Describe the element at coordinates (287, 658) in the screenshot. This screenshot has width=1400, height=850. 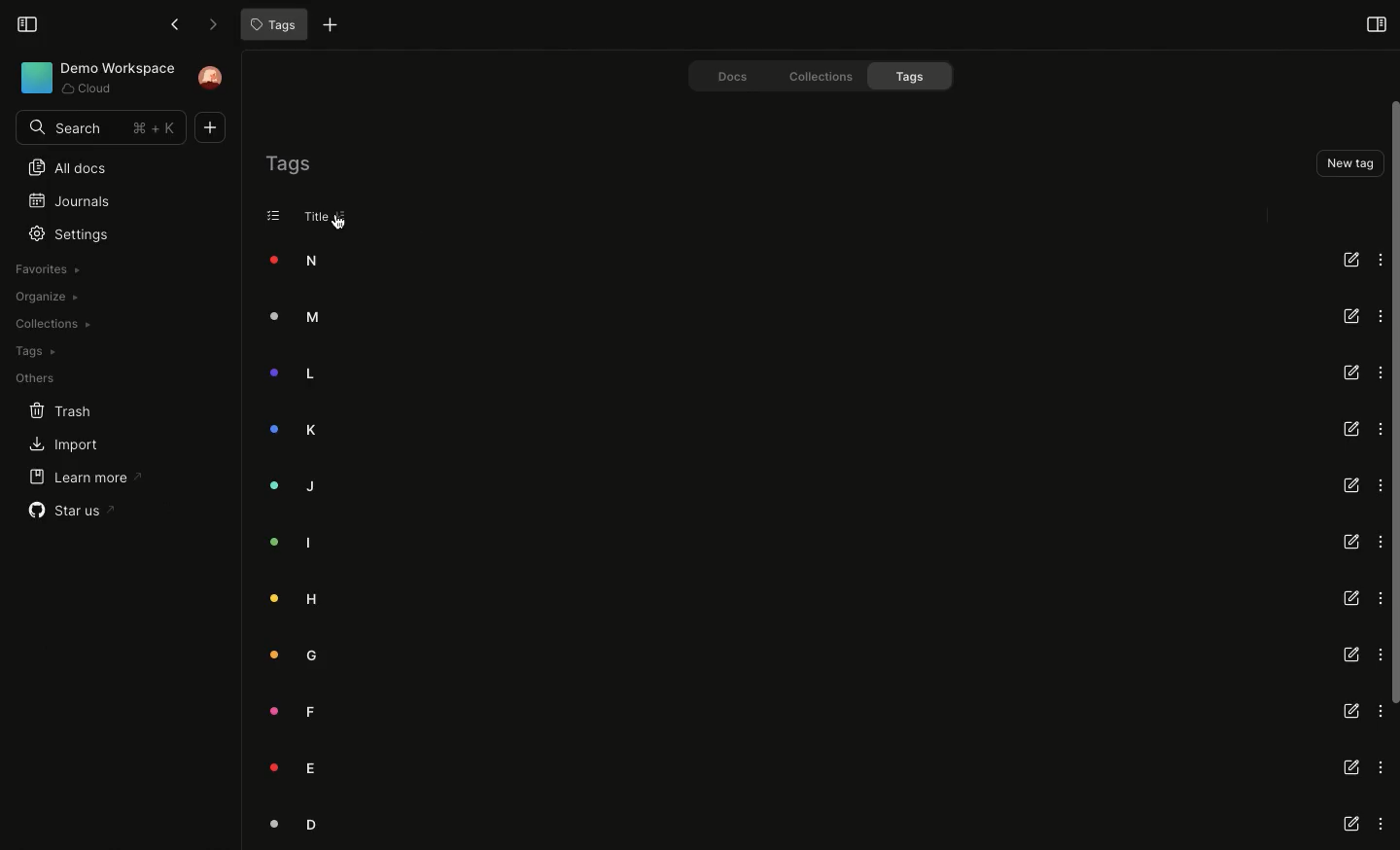
I see `G` at that location.